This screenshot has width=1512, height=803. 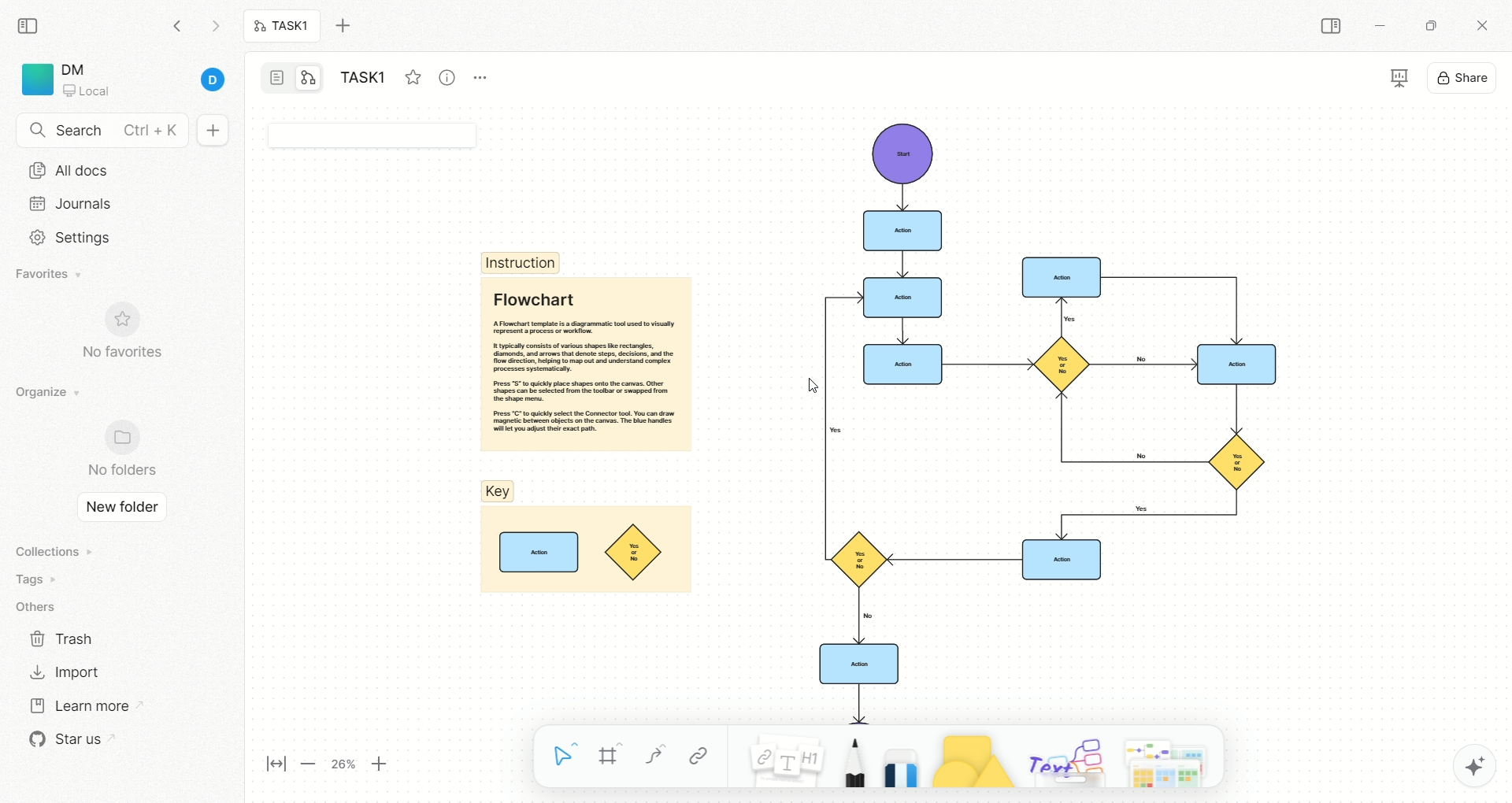 What do you see at coordinates (1464, 76) in the screenshot?
I see `share` at bounding box center [1464, 76].